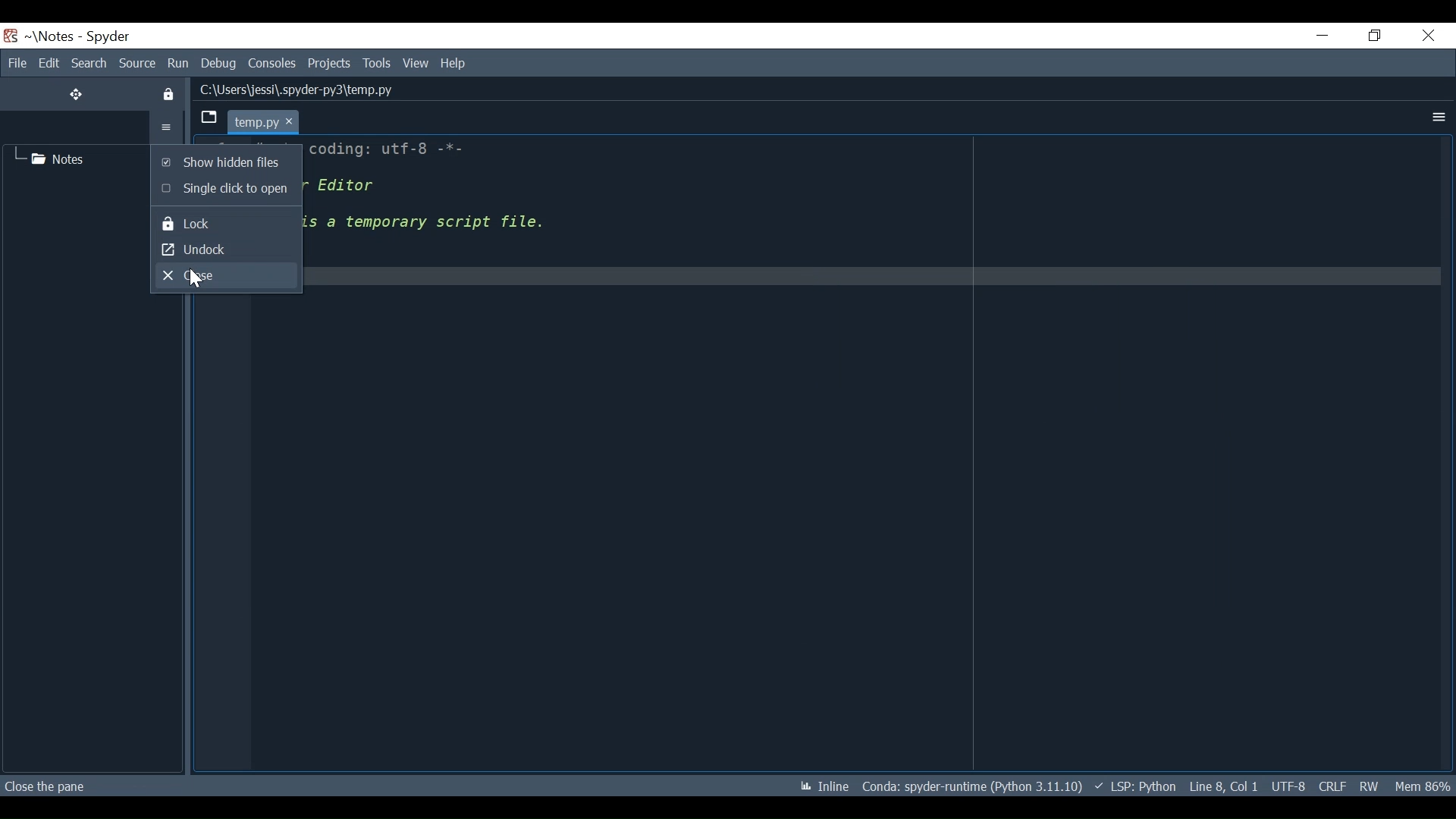 The image size is (1456, 819). Describe the element at coordinates (454, 64) in the screenshot. I see `Help` at that location.